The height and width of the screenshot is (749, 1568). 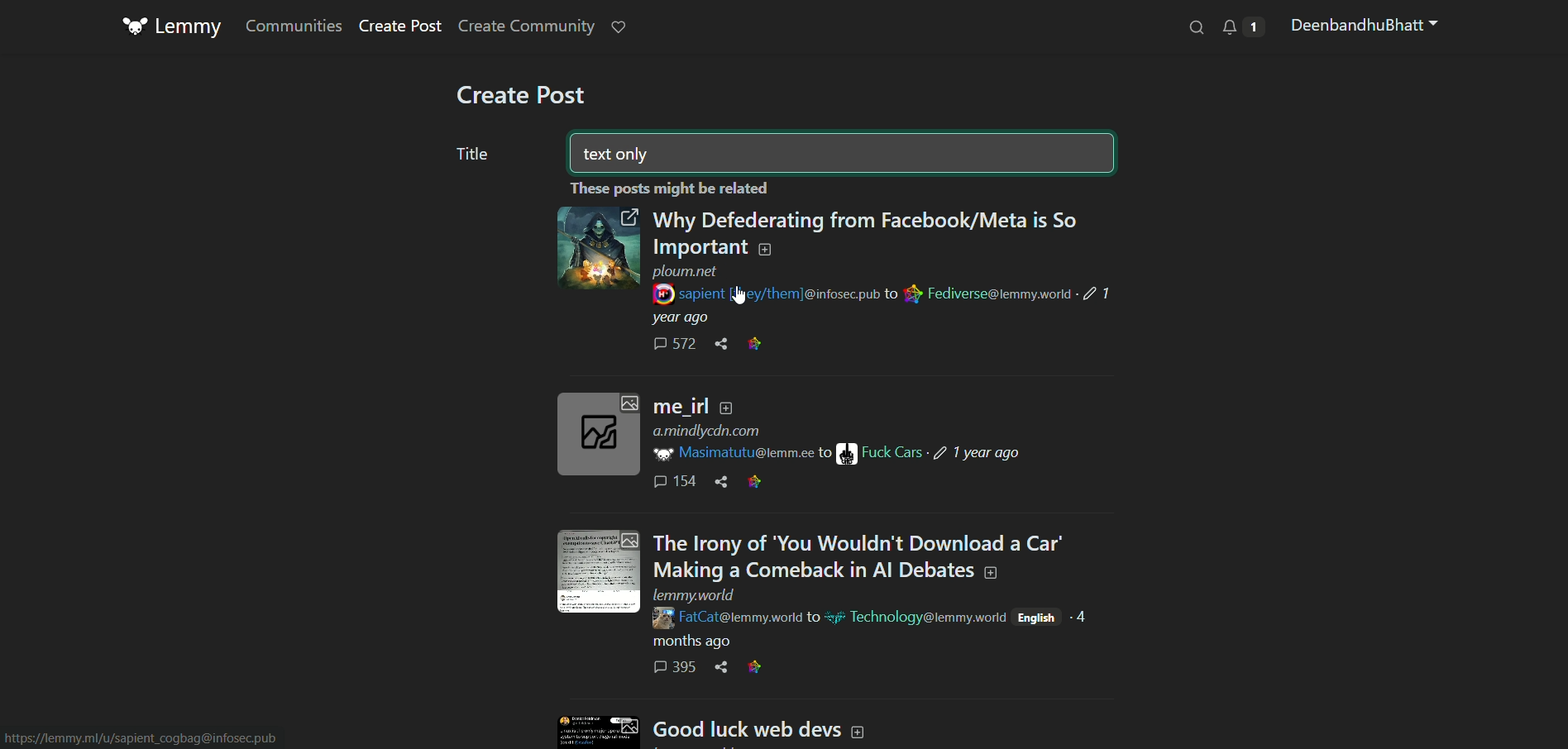 What do you see at coordinates (893, 452) in the screenshot?
I see `Link to Fuck Cars page` at bounding box center [893, 452].